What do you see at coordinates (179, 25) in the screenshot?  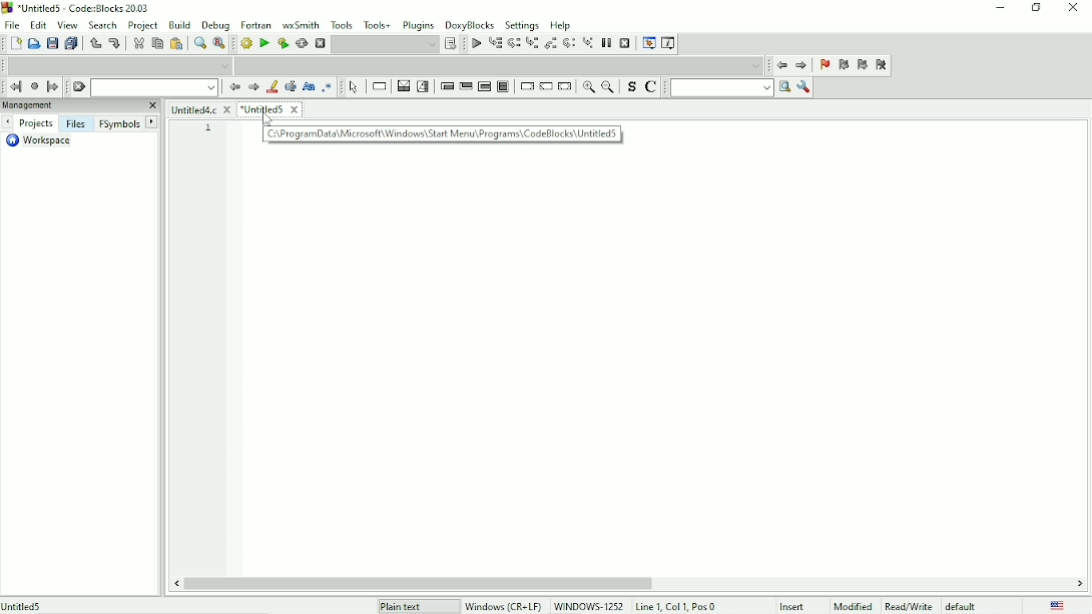 I see `Build` at bounding box center [179, 25].